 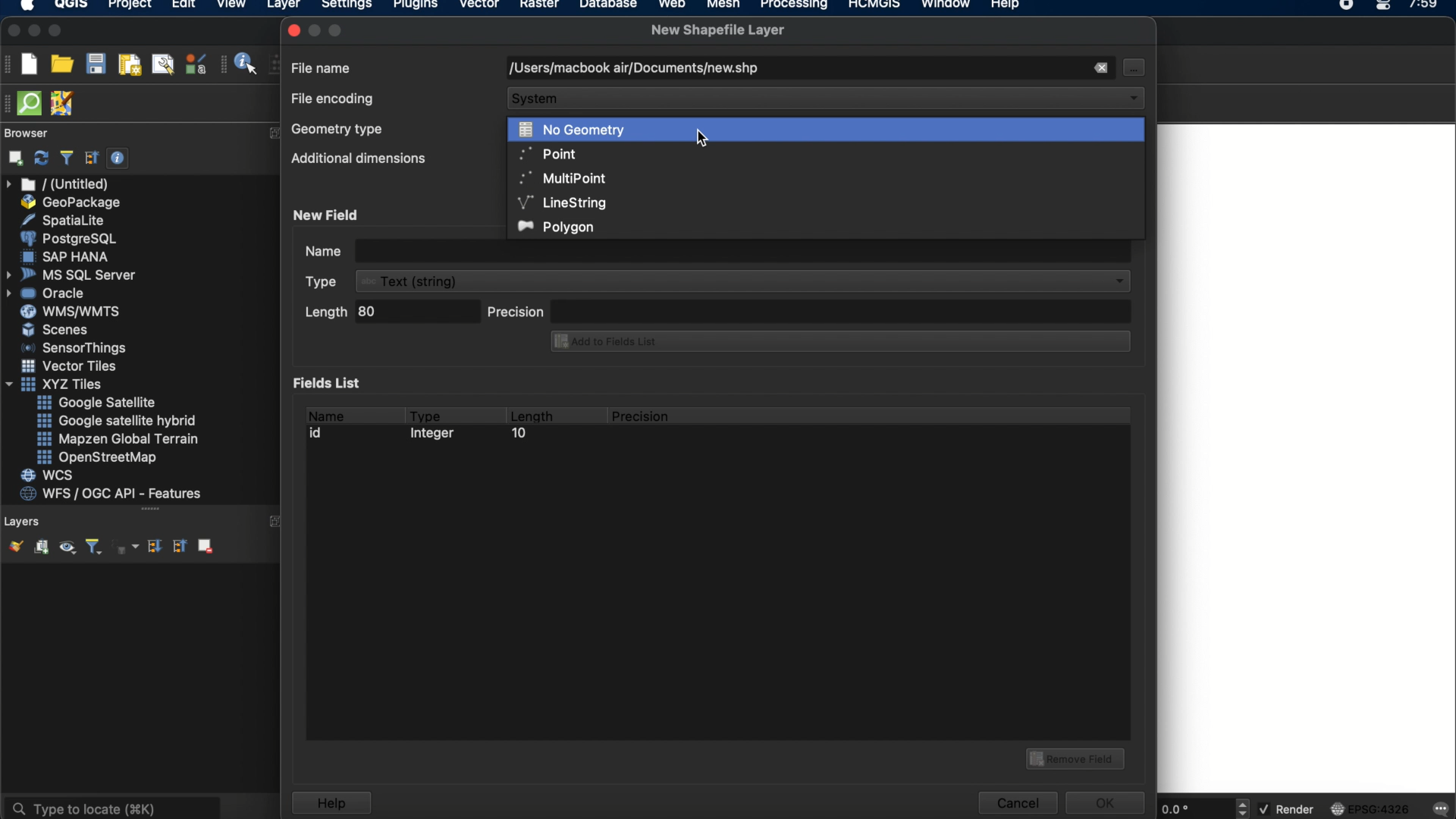 I want to click on plugins, so click(x=416, y=7).